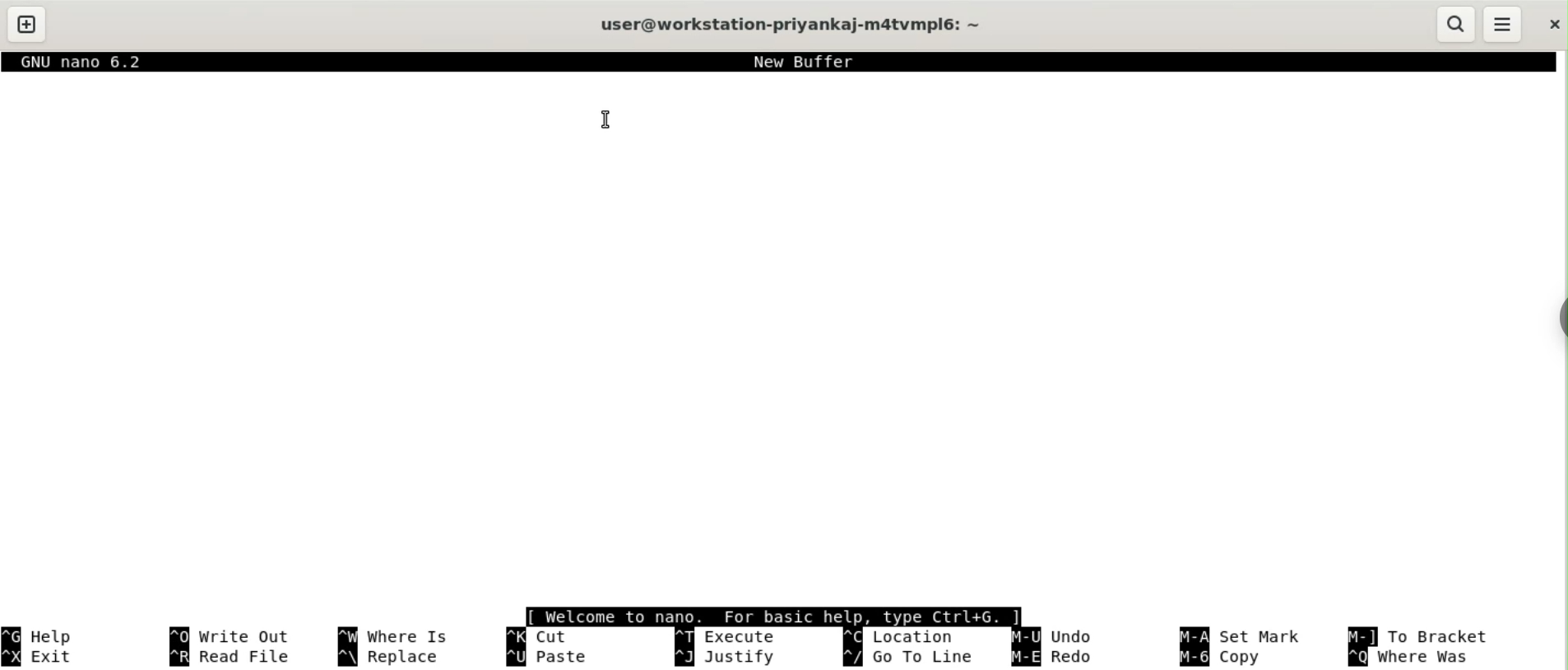 Image resolution: width=1568 pixels, height=670 pixels. Describe the element at coordinates (605, 119) in the screenshot. I see `cursor` at that location.